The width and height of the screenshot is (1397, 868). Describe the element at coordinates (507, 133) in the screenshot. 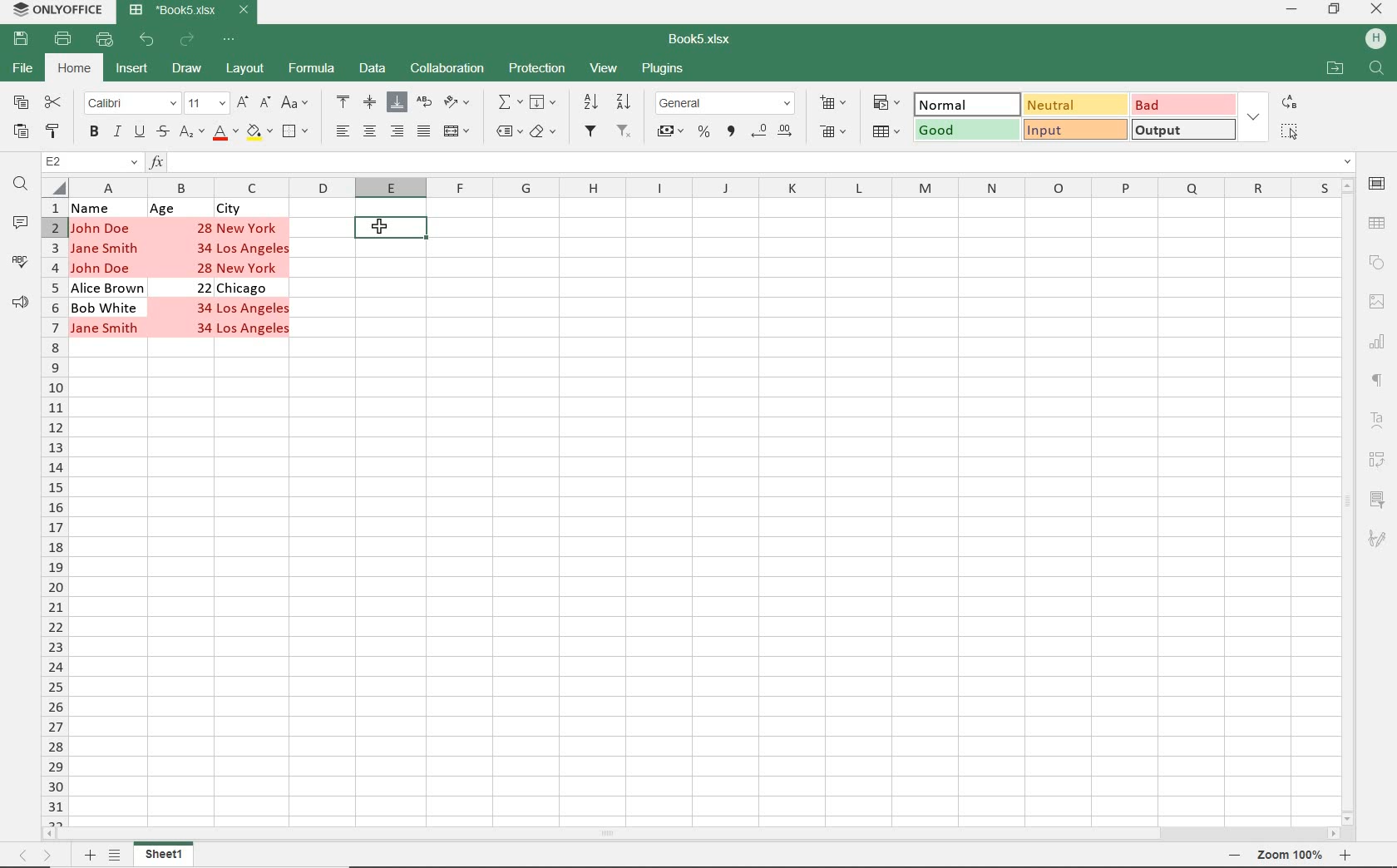

I see `NAMED RANGES` at that location.